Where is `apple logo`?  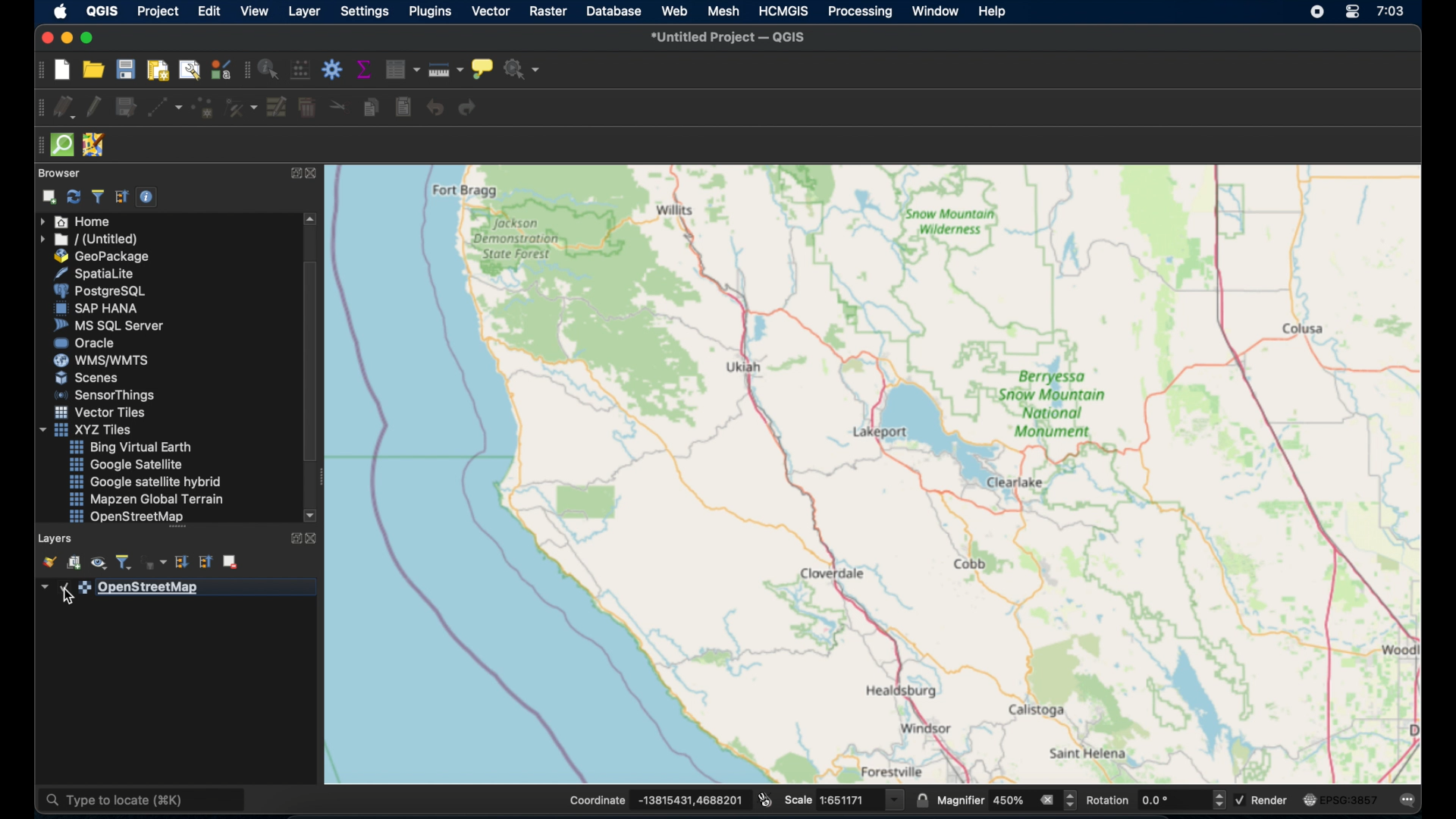
apple logo is located at coordinates (61, 12).